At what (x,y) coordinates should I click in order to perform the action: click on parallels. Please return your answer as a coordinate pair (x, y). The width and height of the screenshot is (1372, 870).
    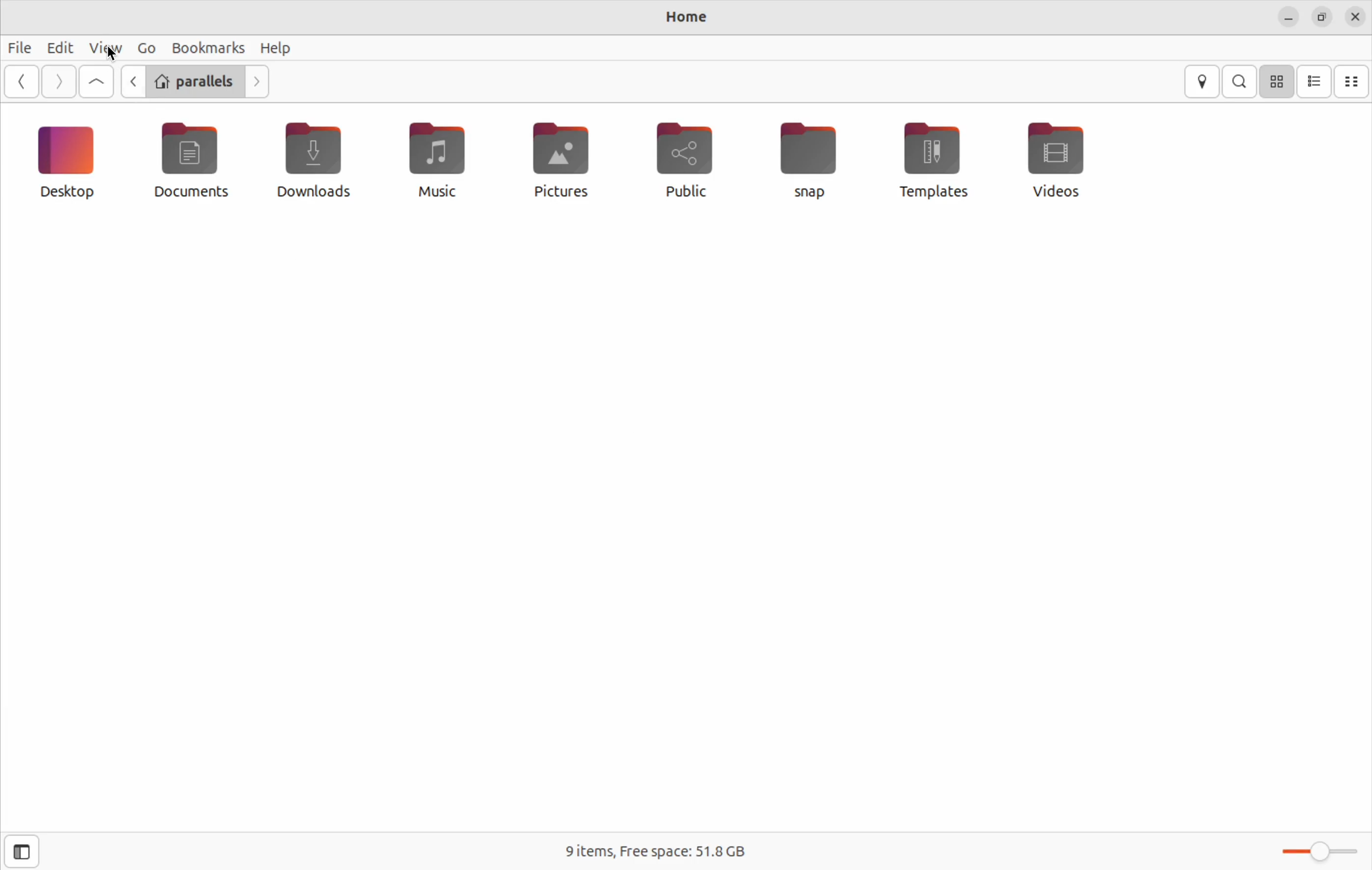
    Looking at the image, I should click on (196, 82).